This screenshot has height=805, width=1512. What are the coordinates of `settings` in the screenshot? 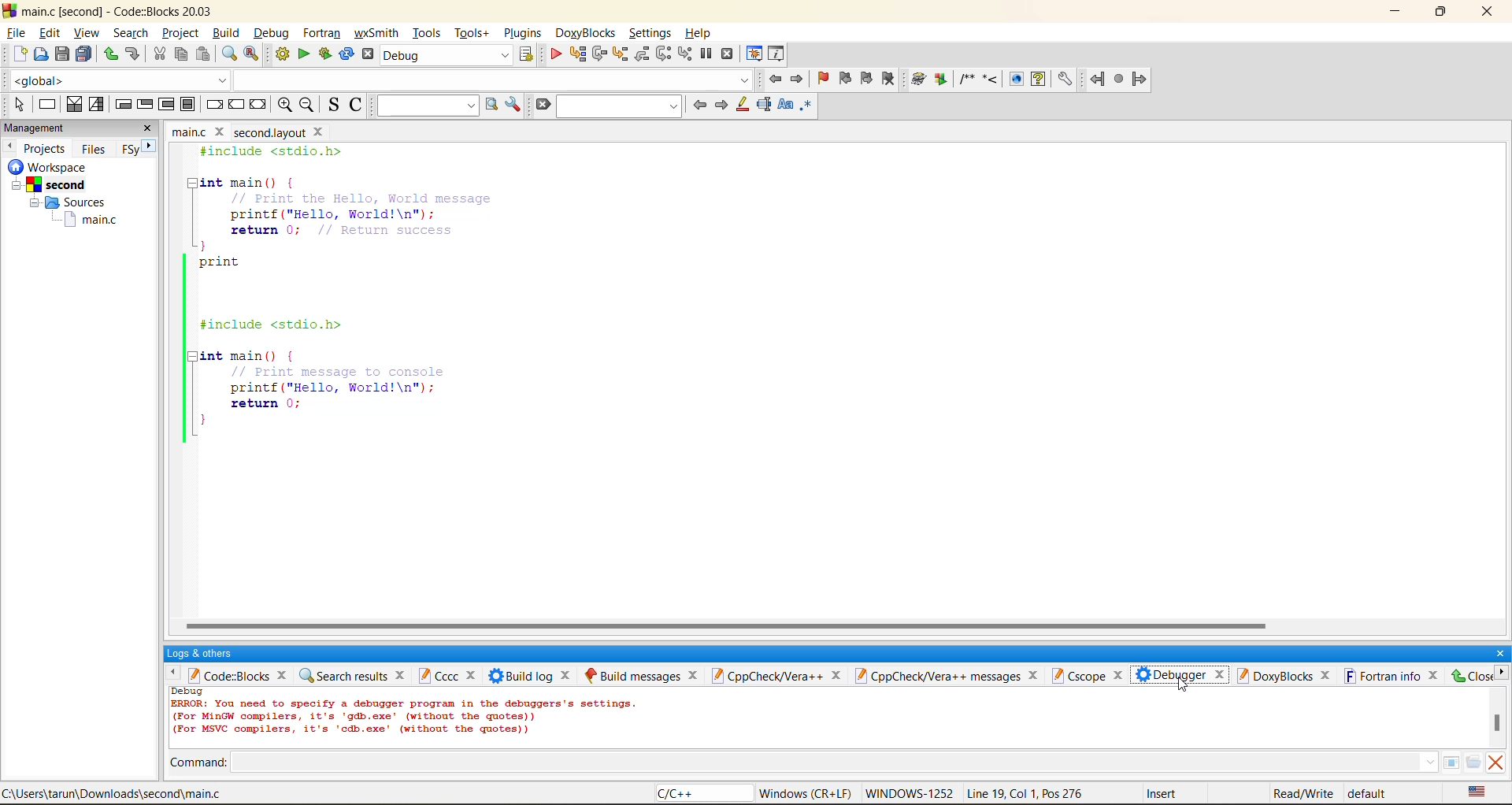 It's located at (650, 30).